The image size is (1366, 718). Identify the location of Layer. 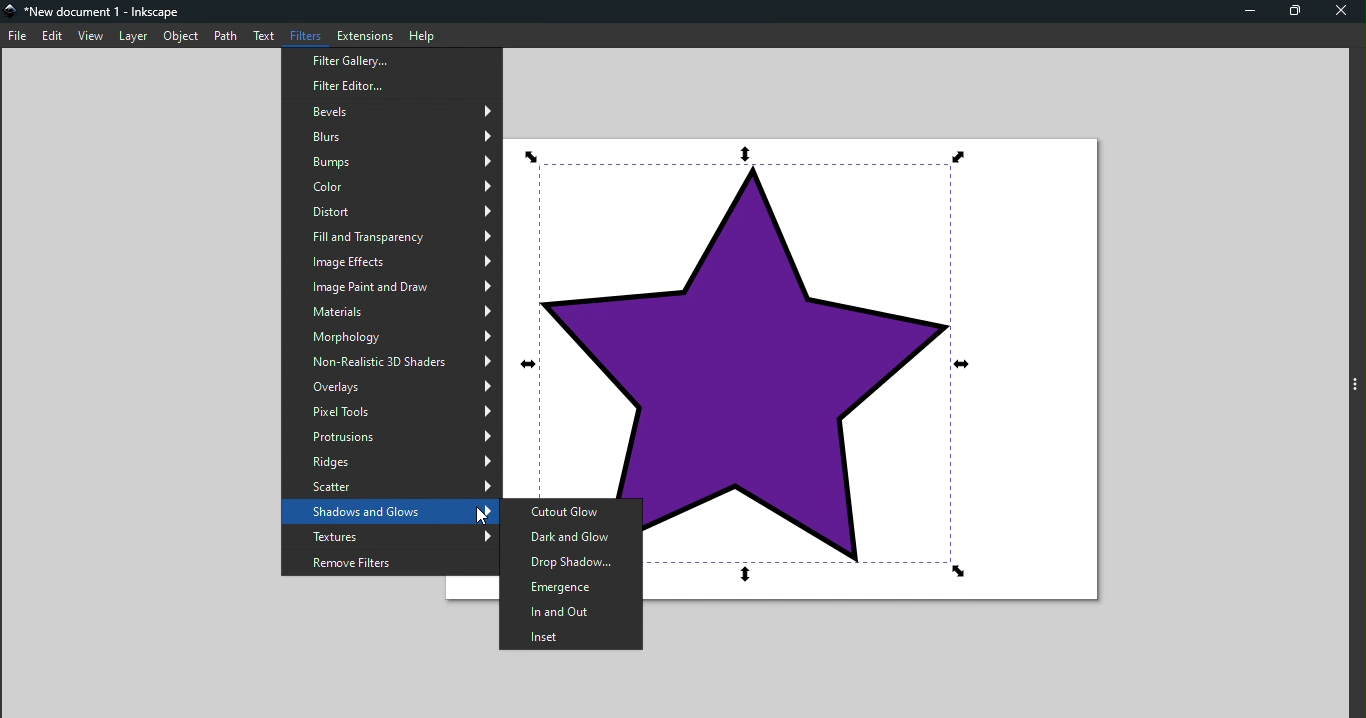
(132, 36).